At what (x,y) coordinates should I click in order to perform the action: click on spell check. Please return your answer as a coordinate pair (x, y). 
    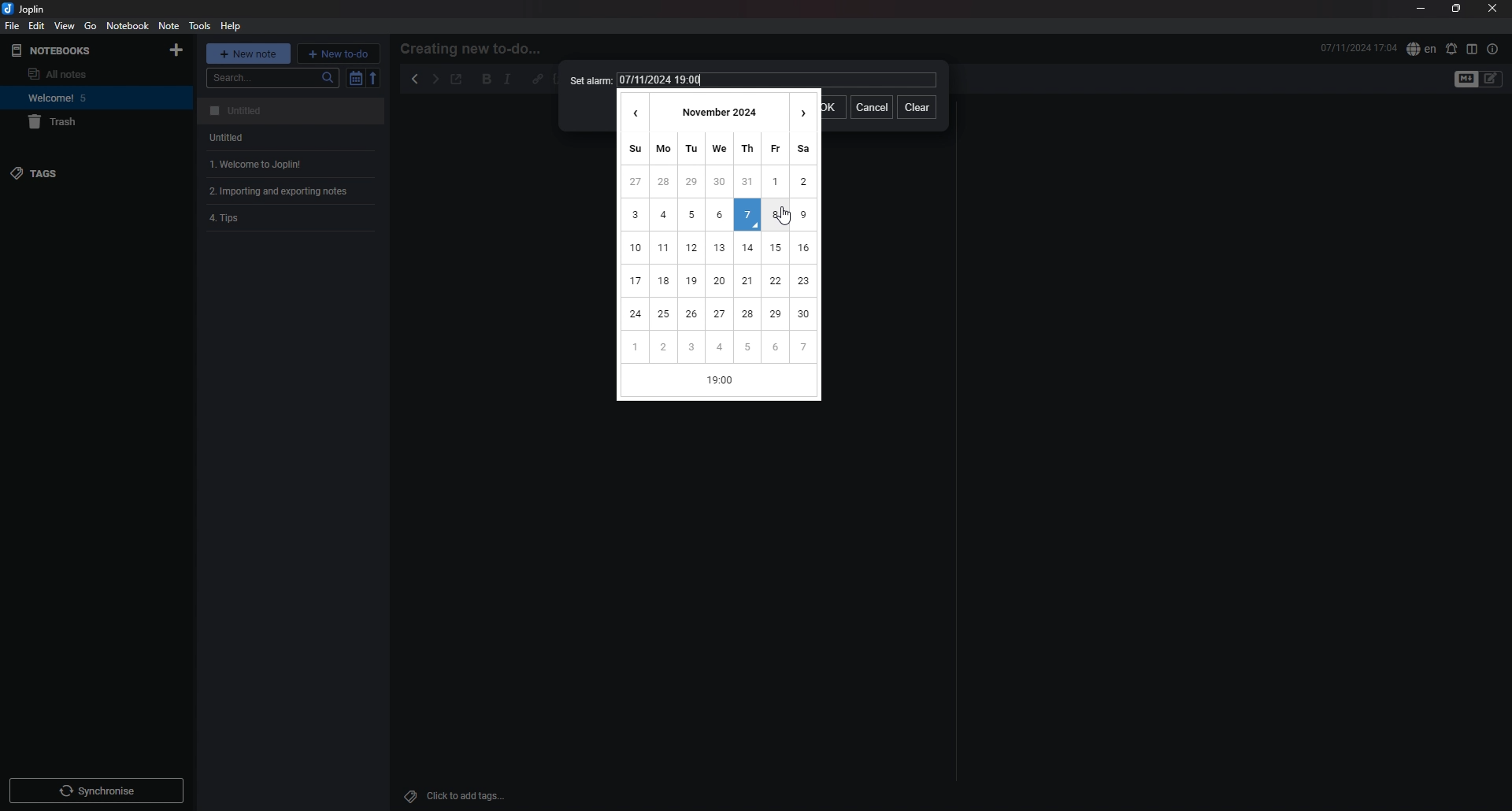
    Looking at the image, I should click on (1421, 50).